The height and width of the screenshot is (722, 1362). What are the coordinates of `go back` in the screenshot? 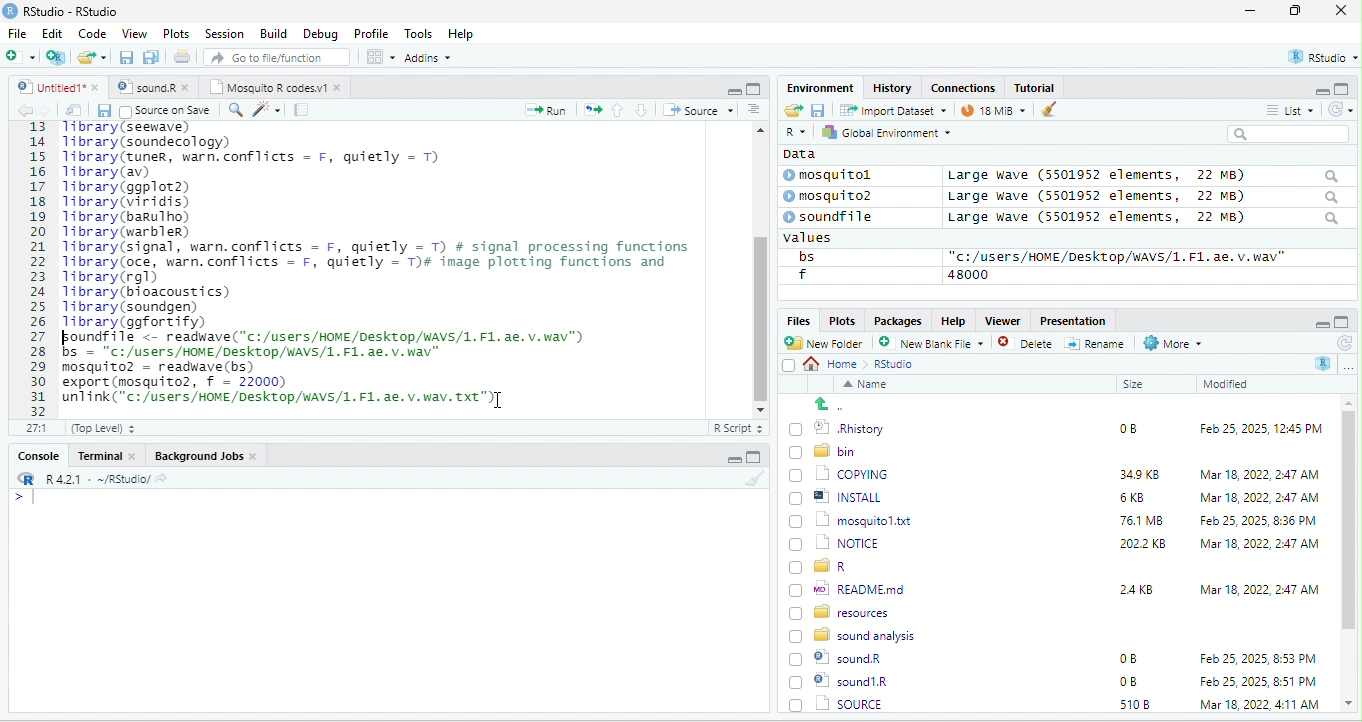 It's located at (837, 404).